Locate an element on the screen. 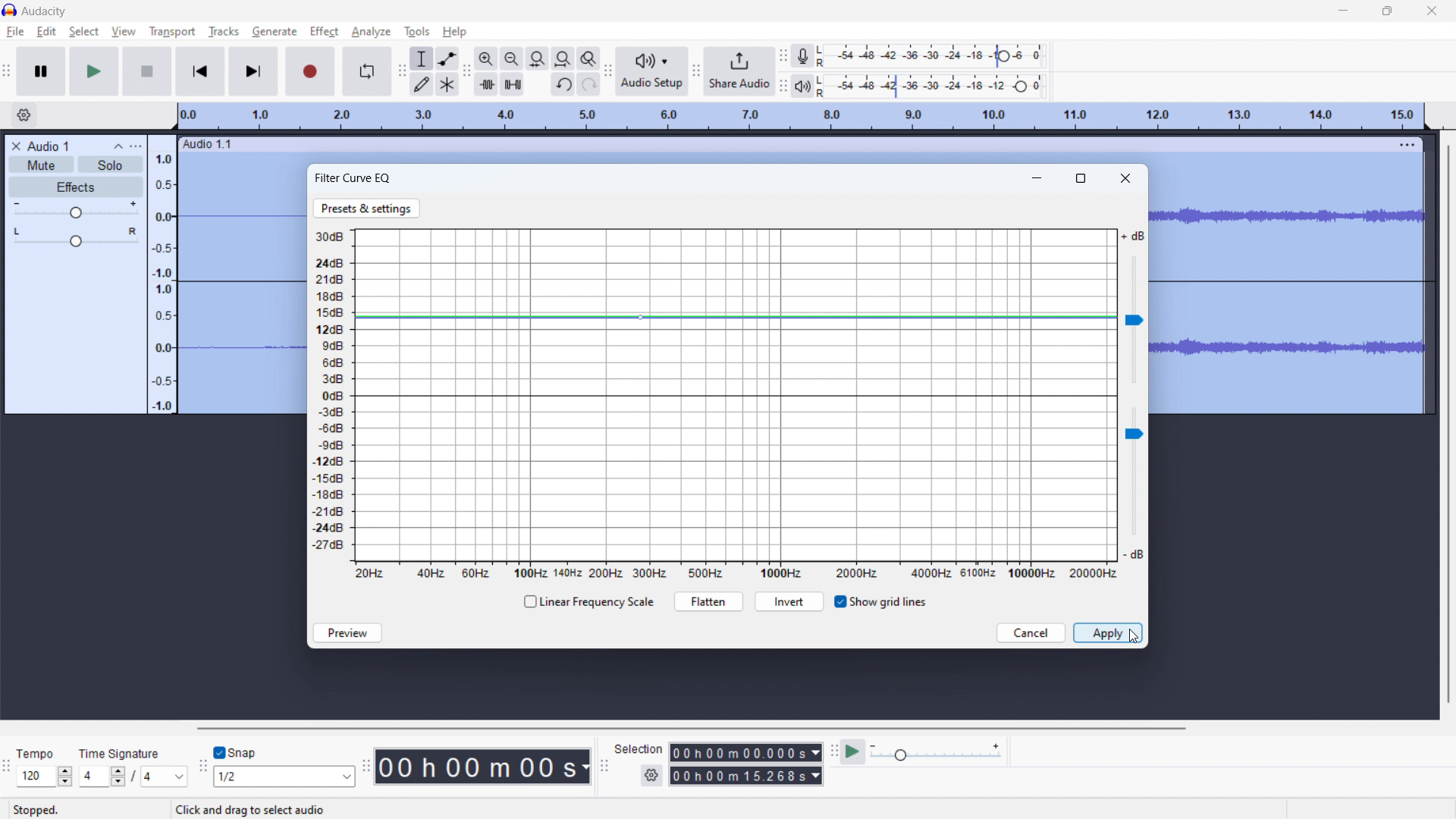  time signature toolbar is located at coordinates (7, 767).